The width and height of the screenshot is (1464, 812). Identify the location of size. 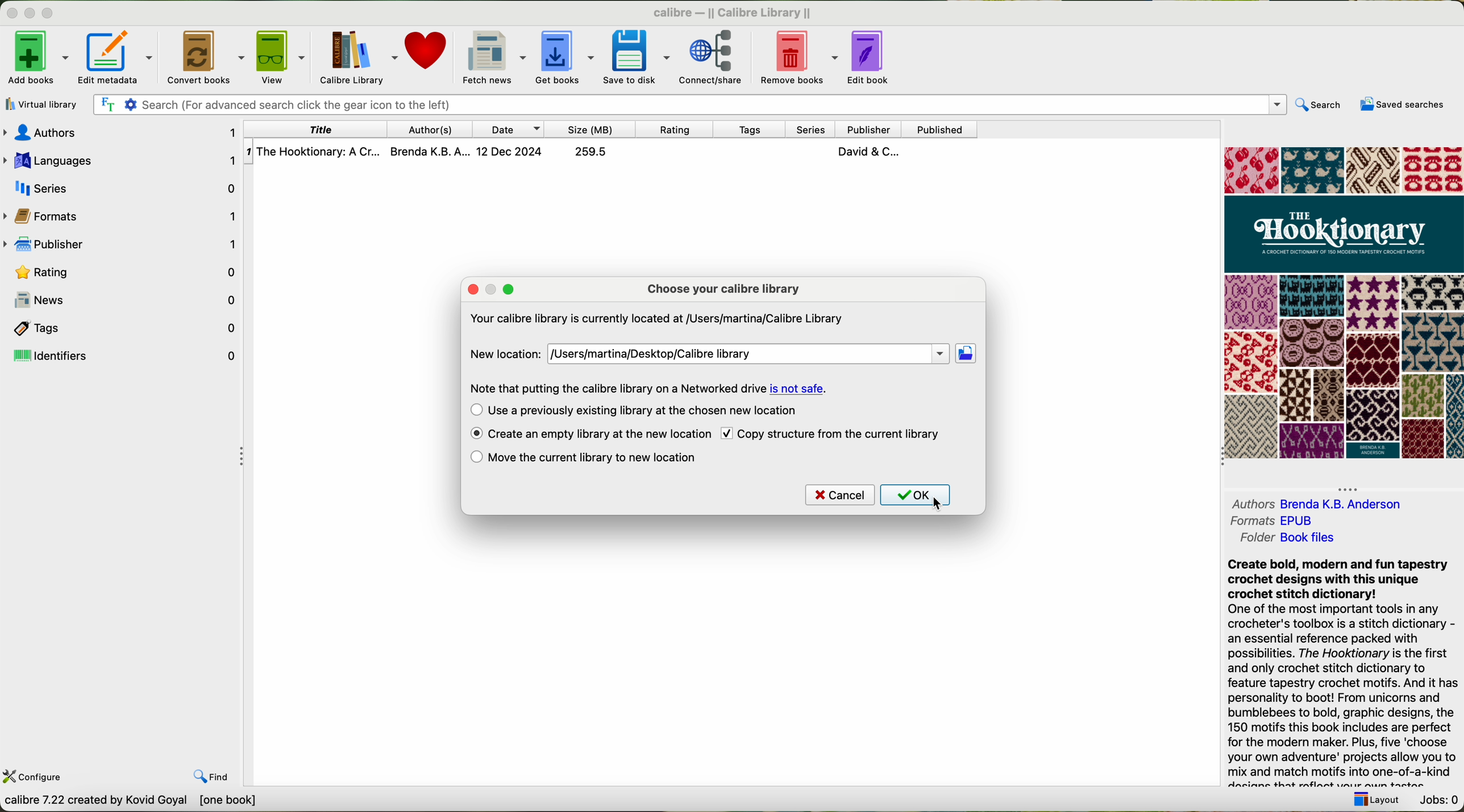
(596, 129).